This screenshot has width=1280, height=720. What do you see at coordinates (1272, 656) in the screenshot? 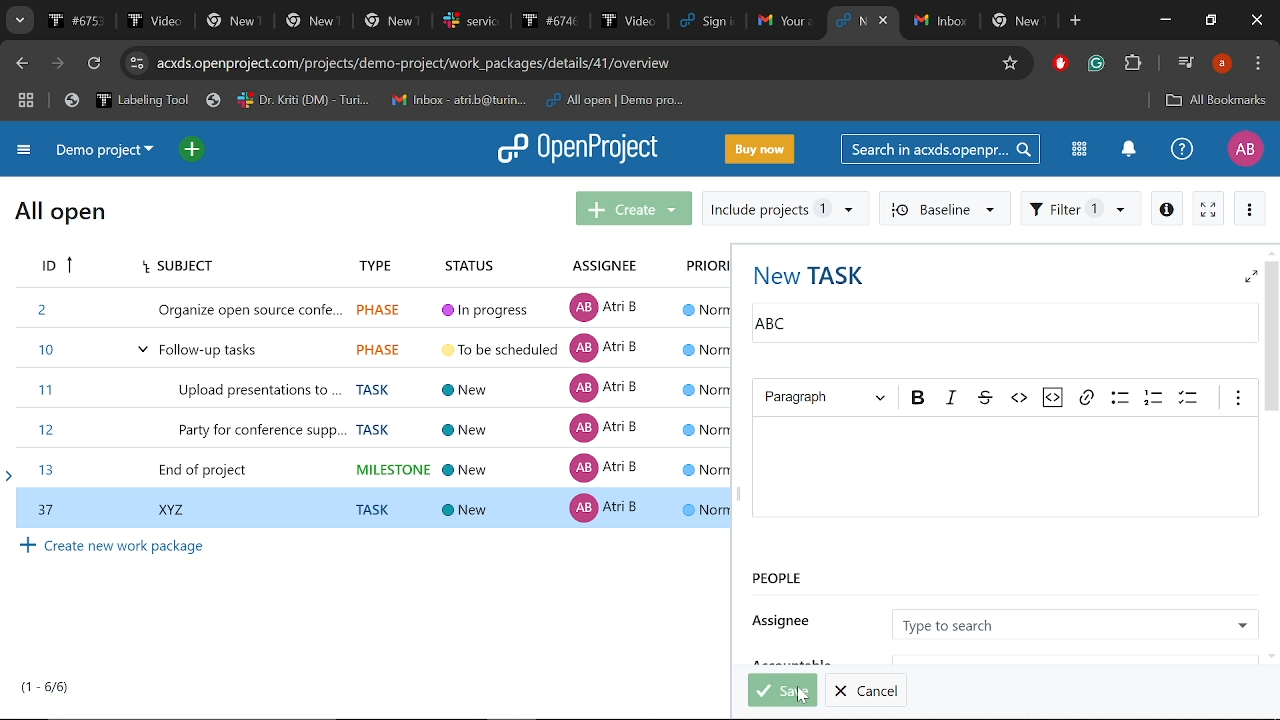
I see `Move down` at bounding box center [1272, 656].